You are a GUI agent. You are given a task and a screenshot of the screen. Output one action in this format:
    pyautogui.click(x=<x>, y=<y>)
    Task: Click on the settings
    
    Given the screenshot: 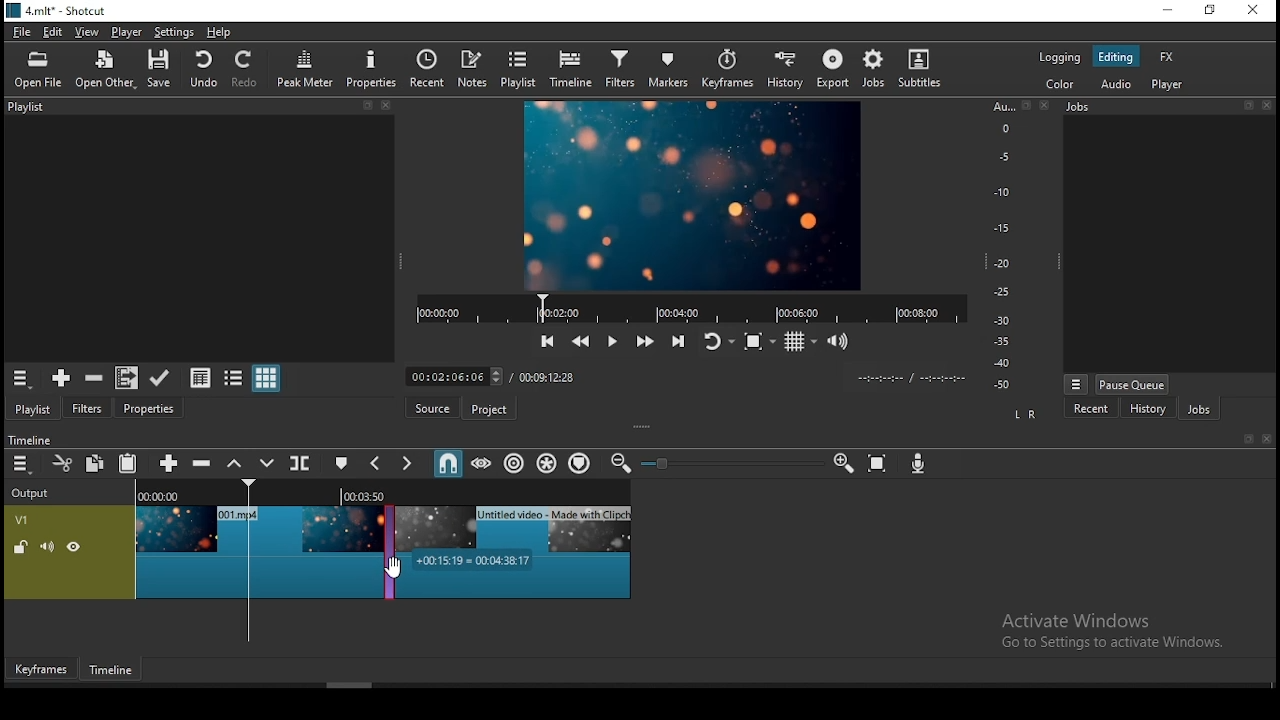 What is the action you would take?
    pyautogui.click(x=174, y=32)
    